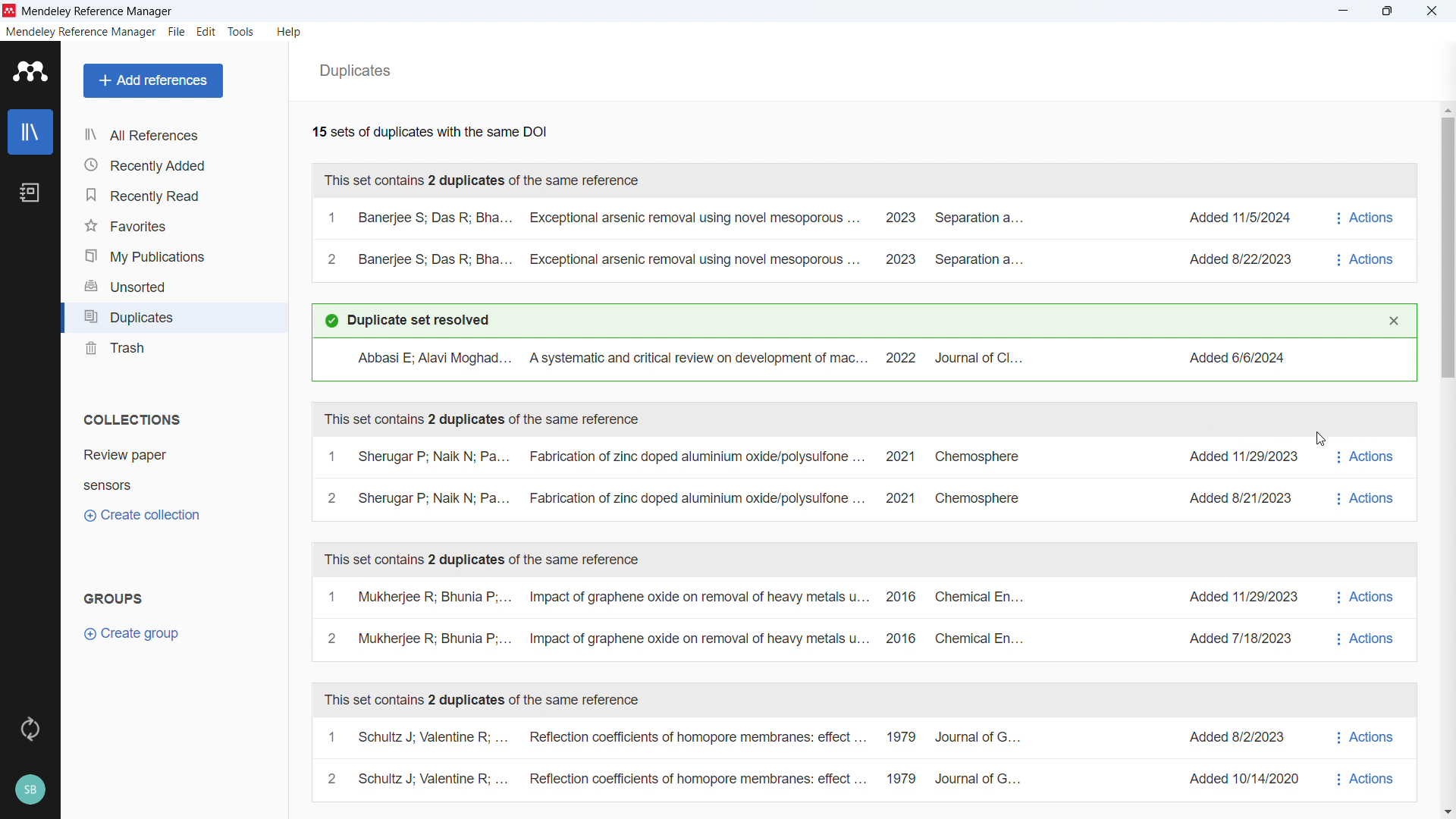 Image resolution: width=1456 pixels, height=819 pixels. Describe the element at coordinates (486, 702) in the screenshot. I see `This set contains 2 duplicates of the same reference` at that location.